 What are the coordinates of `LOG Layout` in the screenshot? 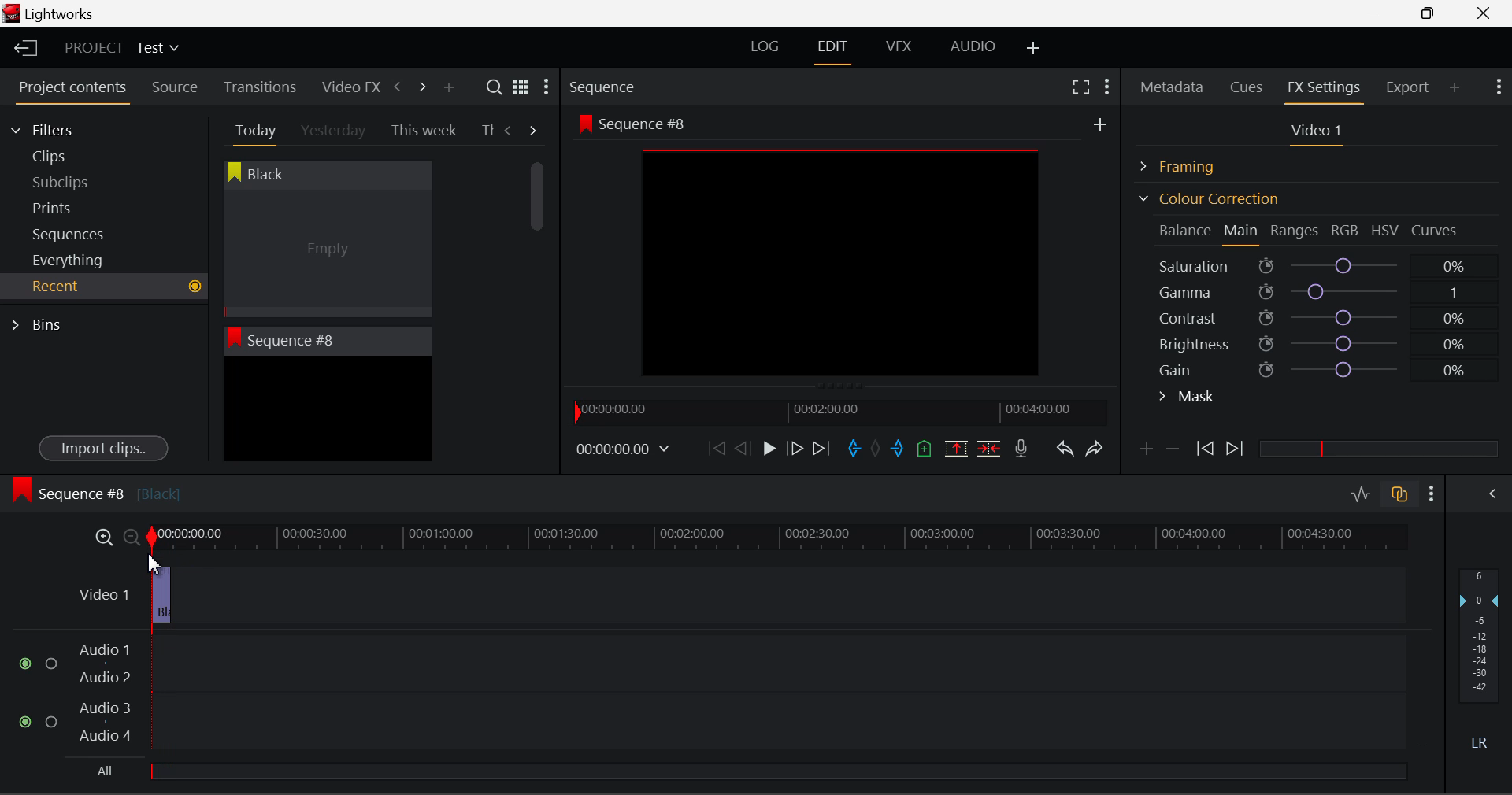 It's located at (764, 46).